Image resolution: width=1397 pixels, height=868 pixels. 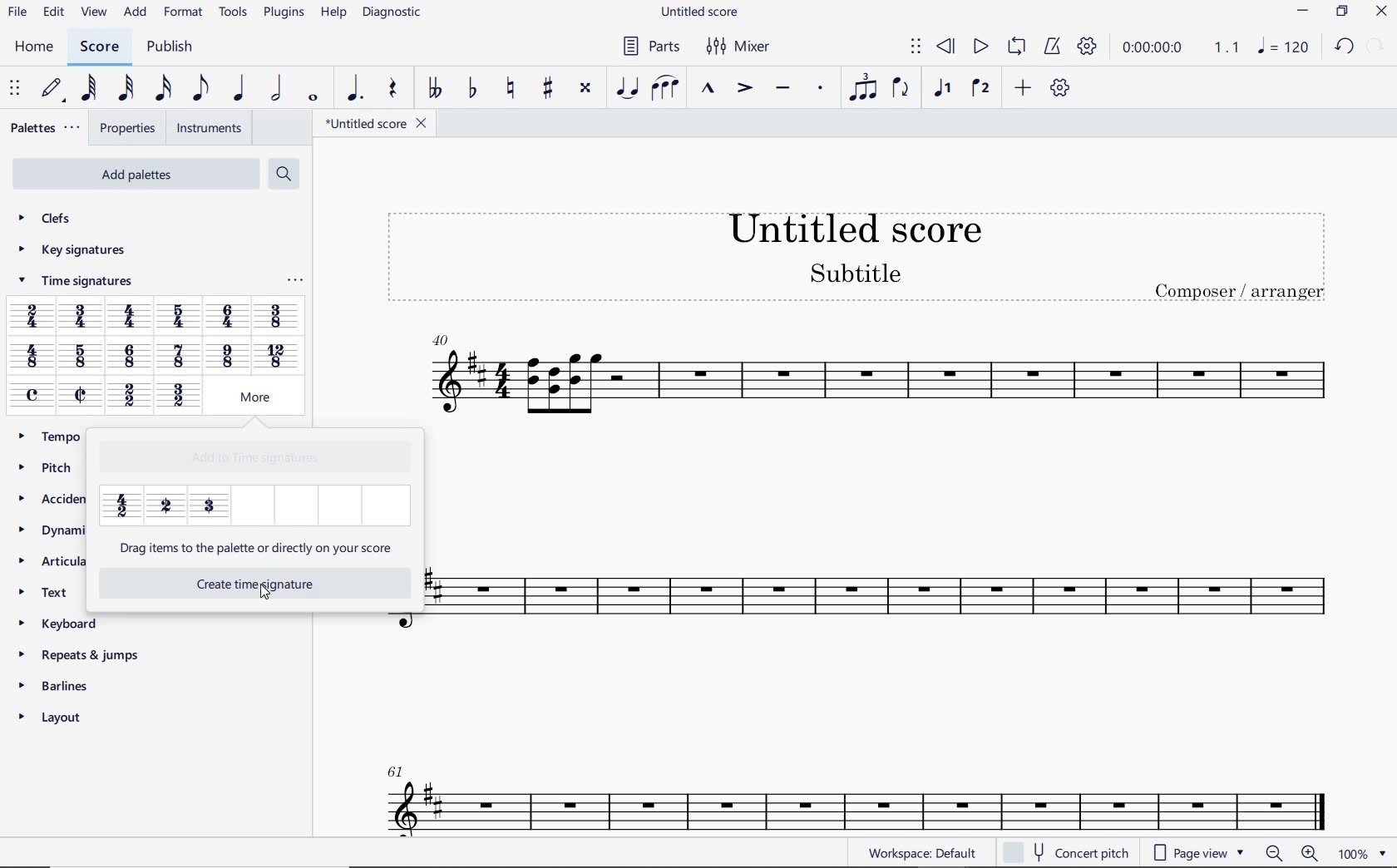 What do you see at coordinates (228, 316) in the screenshot?
I see `6/4` at bounding box center [228, 316].